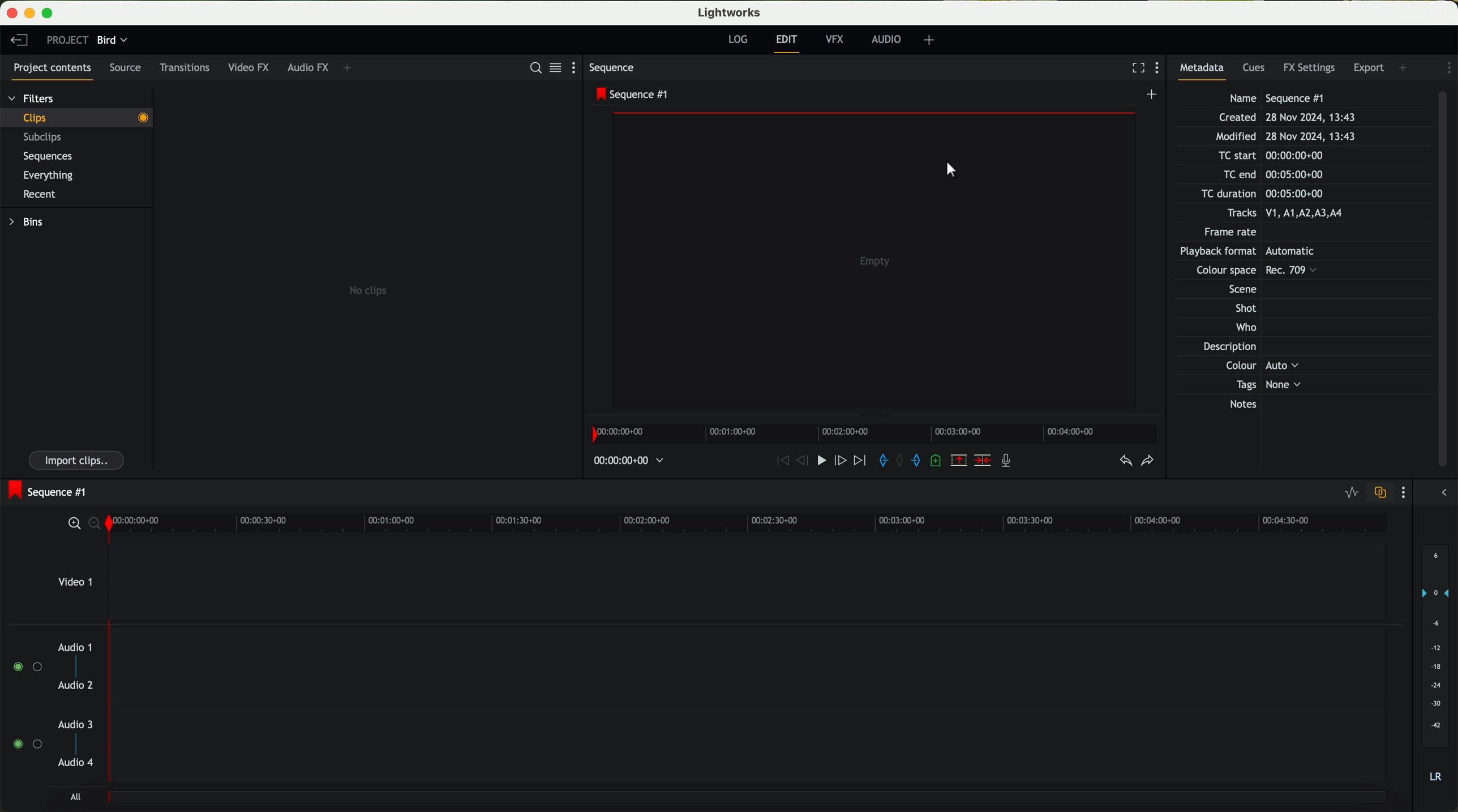  I want to click on time, so click(629, 462).